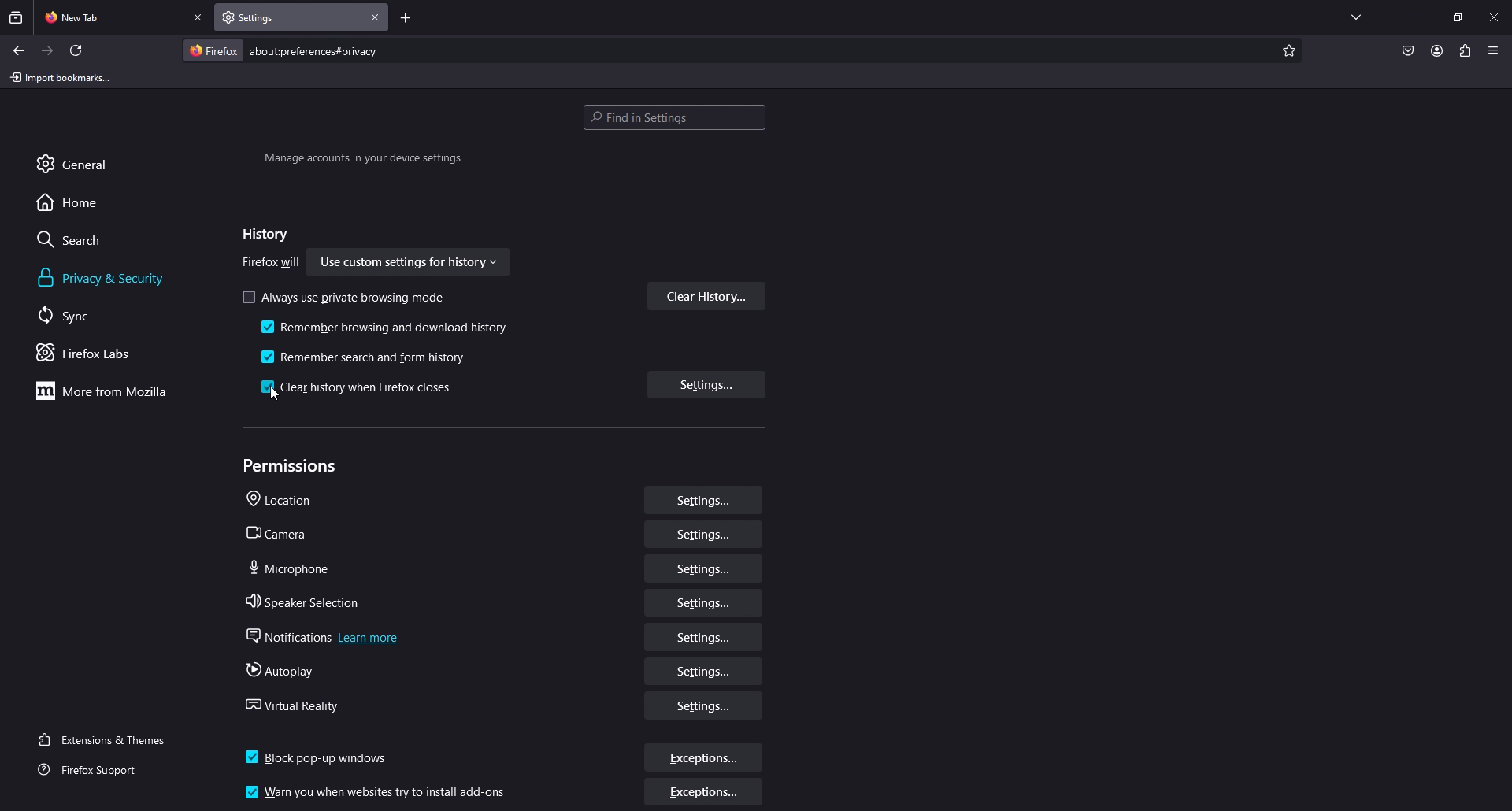  Describe the element at coordinates (199, 18) in the screenshot. I see `close tab` at that location.